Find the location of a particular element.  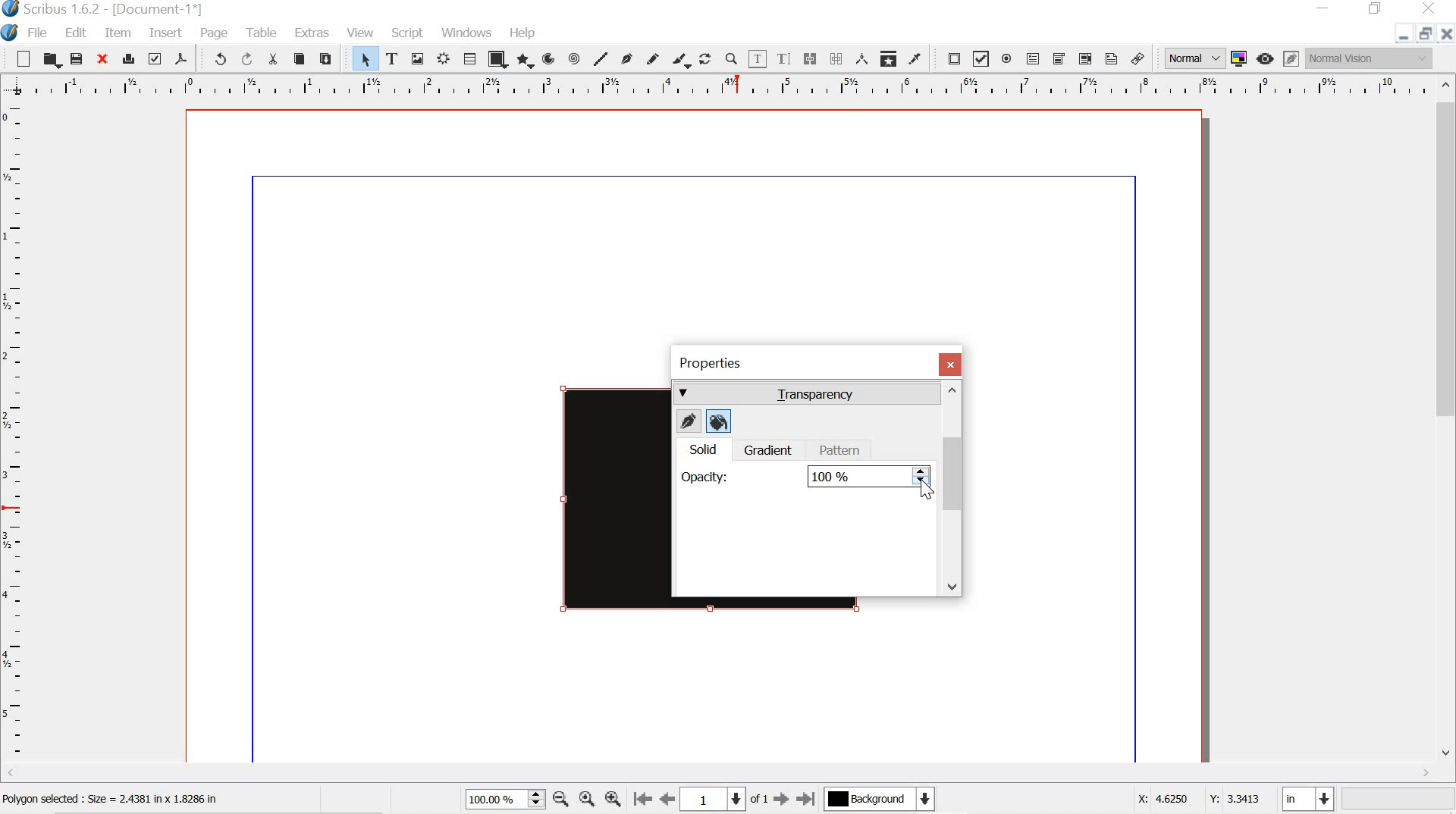

go to first page is located at coordinates (642, 800).